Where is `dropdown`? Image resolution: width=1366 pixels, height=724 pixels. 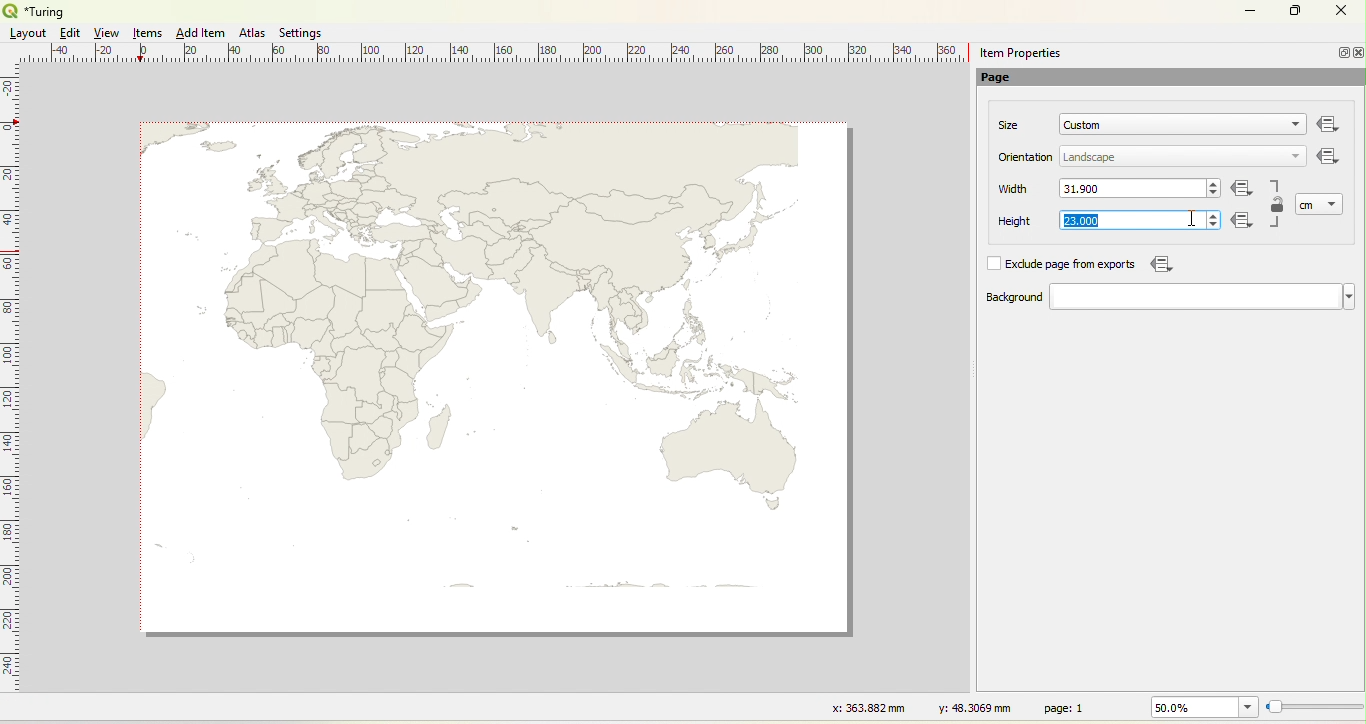
dropdown is located at coordinates (1334, 203).